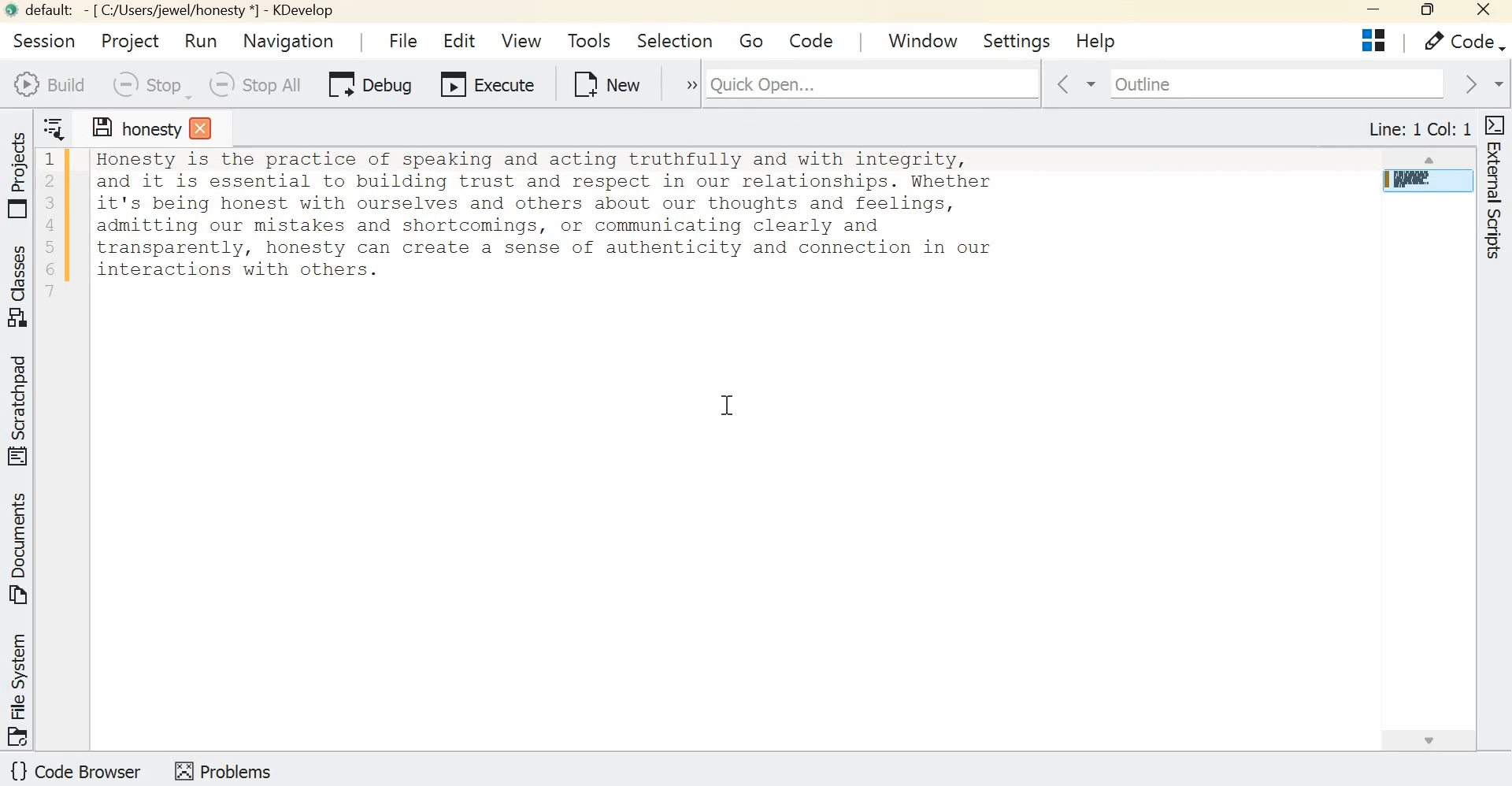 The image size is (1512, 786). Describe the element at coordinates (521, 39) in the screenshot. I see `View` at that location.